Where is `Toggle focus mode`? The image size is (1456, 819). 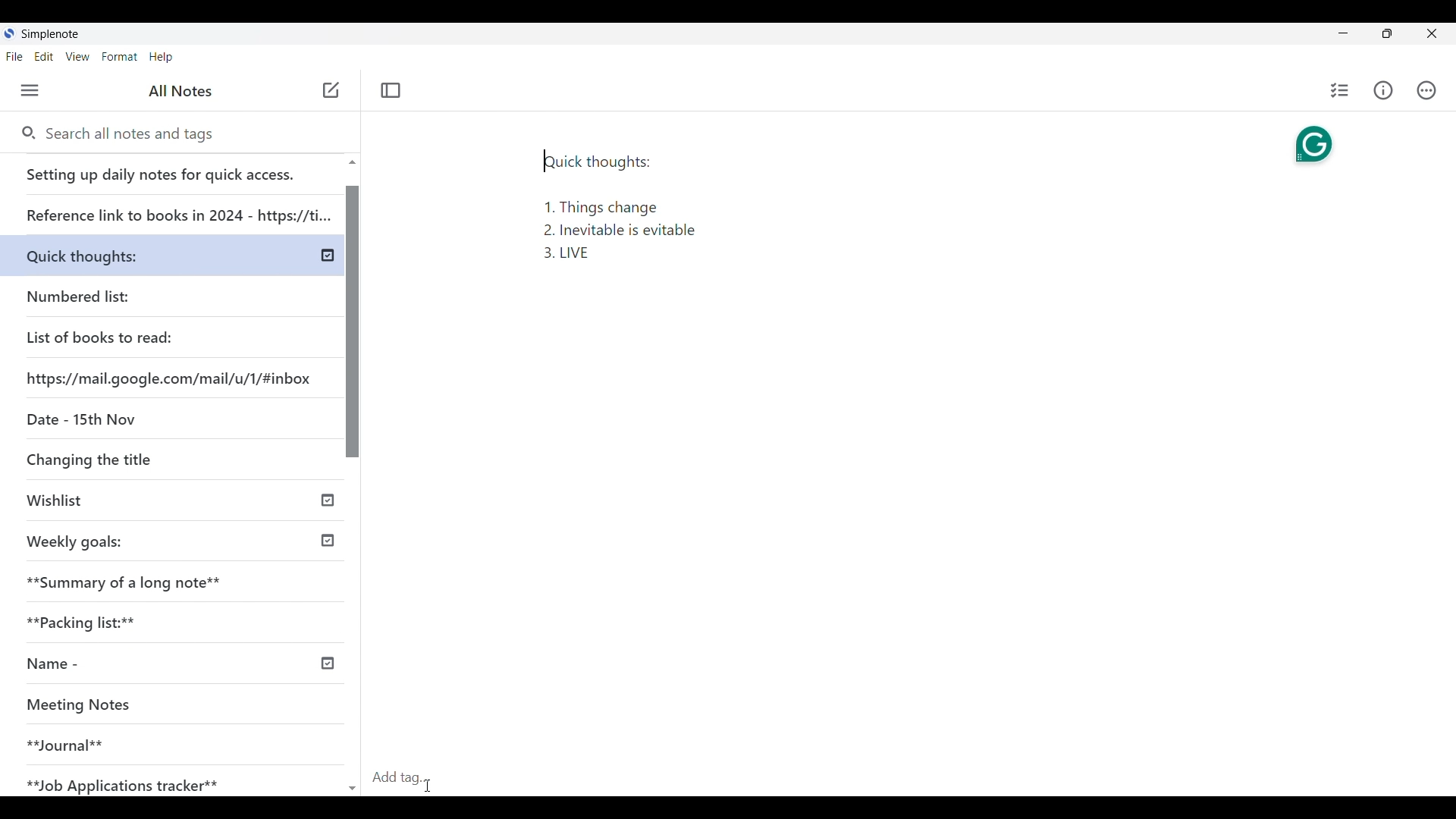 Toggle focus mode is located at coordinates (391, 91).